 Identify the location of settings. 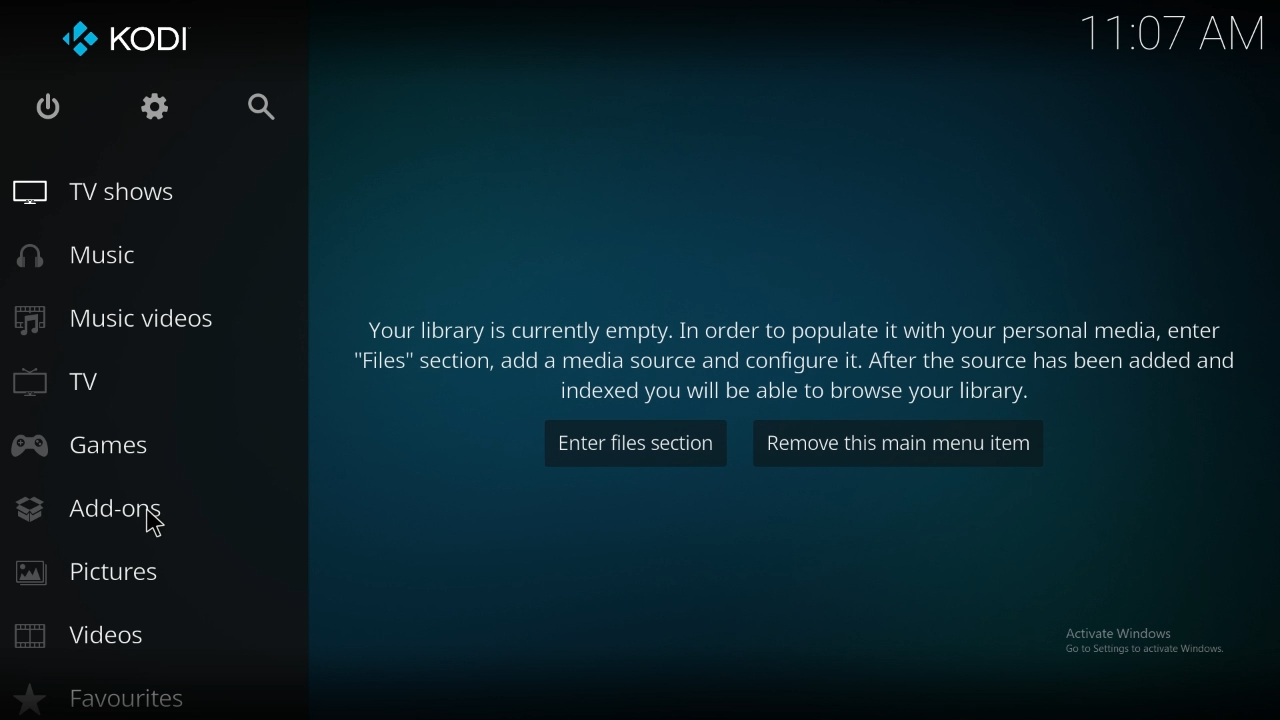
(153, 107).